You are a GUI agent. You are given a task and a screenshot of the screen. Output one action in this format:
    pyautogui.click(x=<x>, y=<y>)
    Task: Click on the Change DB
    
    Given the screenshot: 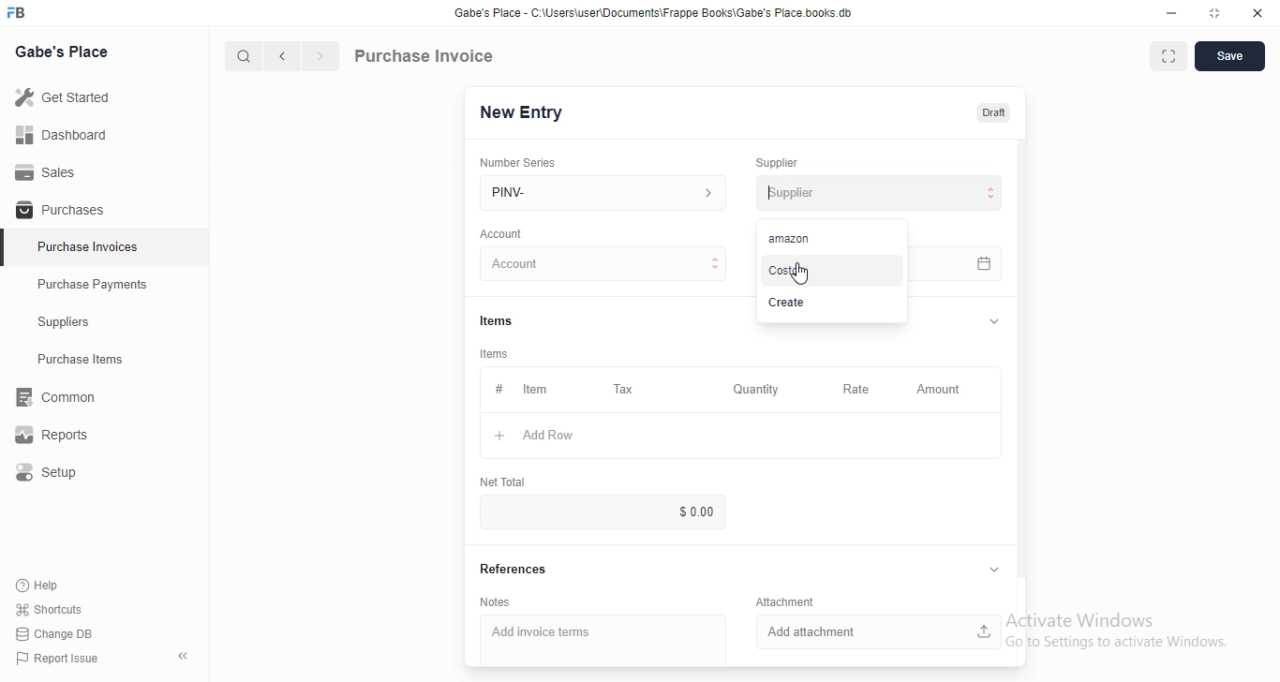 What is the action you would take?
    pyautogui.click(x=54, y=634)
    